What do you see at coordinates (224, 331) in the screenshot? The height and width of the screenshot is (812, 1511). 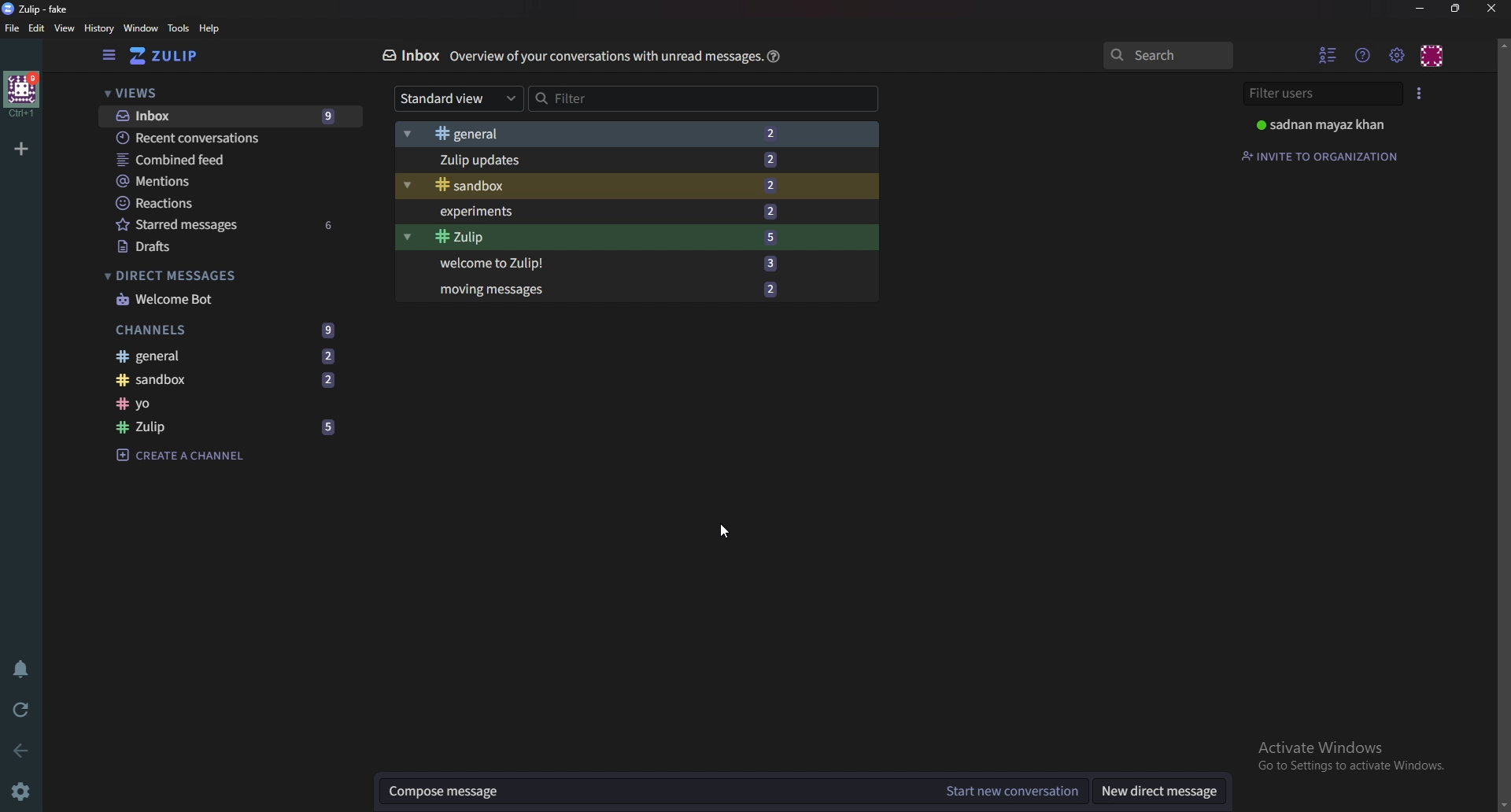 I see `channels` at bounding box center [224, 331].